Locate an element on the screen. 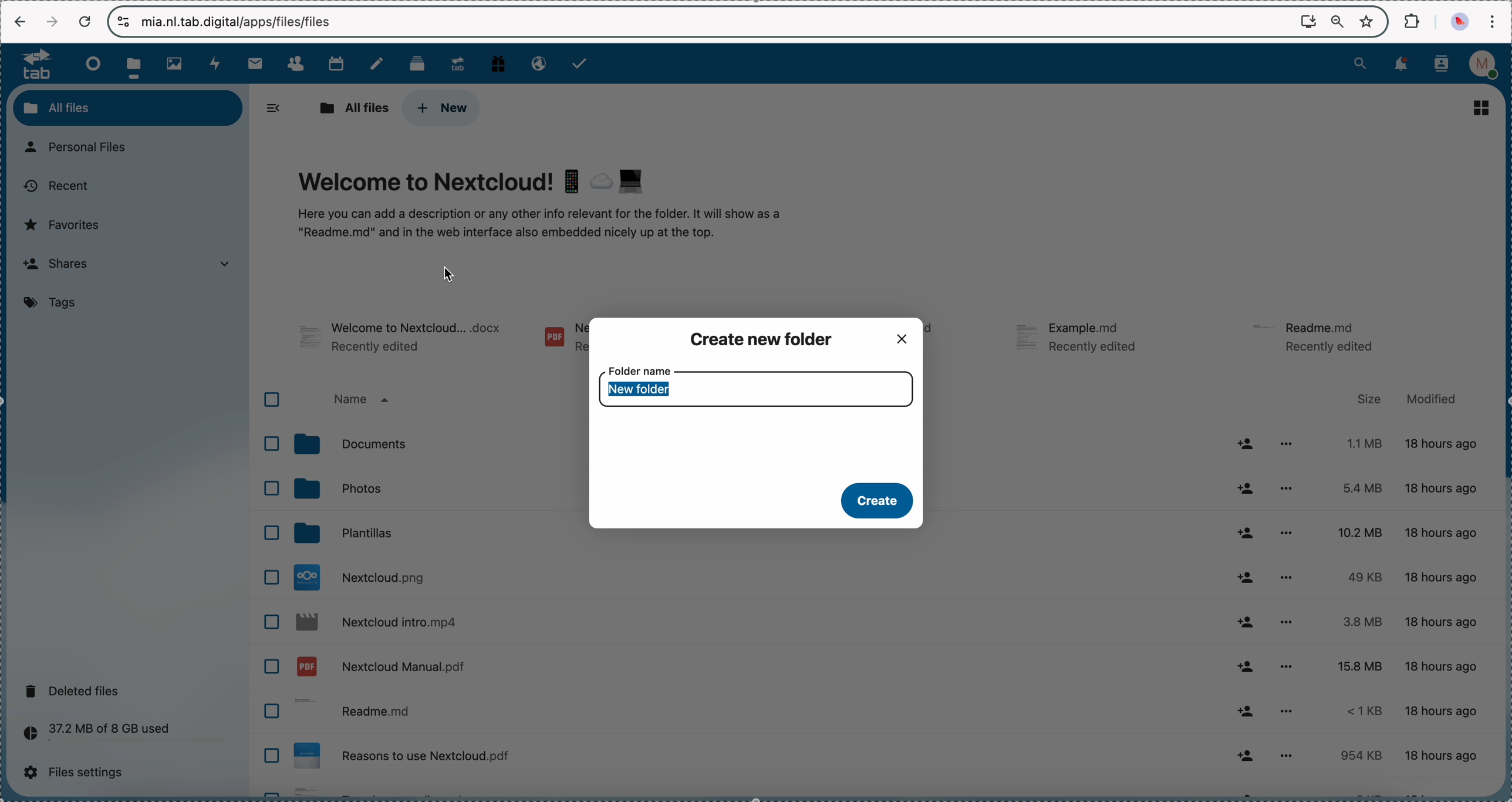 This screenshot has height=802, width=1512. modified is located at coordinates (1429, 399).